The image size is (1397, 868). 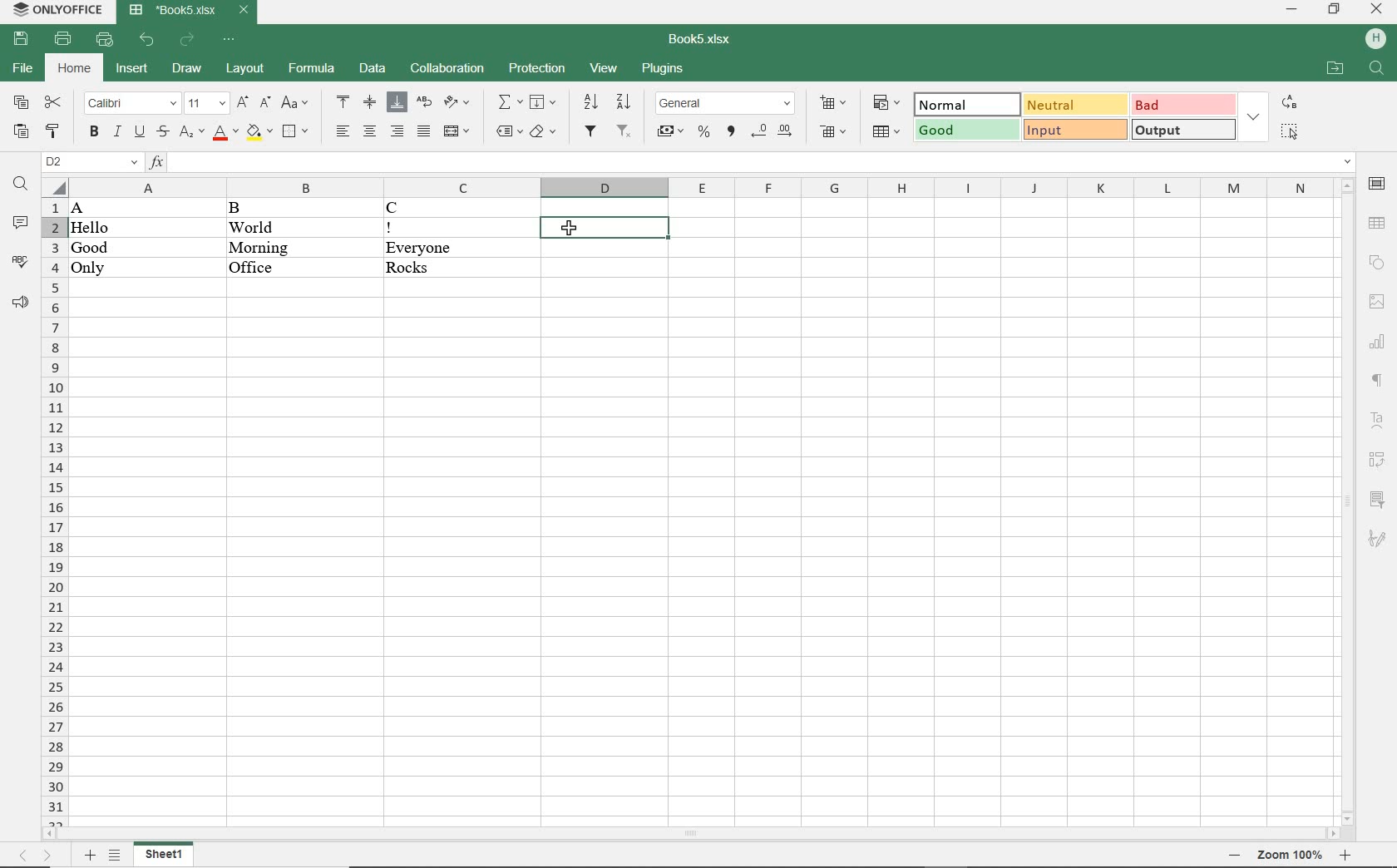 What do you see at coordinates (146, 39) in the screenshot?
I see `UNDO` at bounding box center [146, 39].